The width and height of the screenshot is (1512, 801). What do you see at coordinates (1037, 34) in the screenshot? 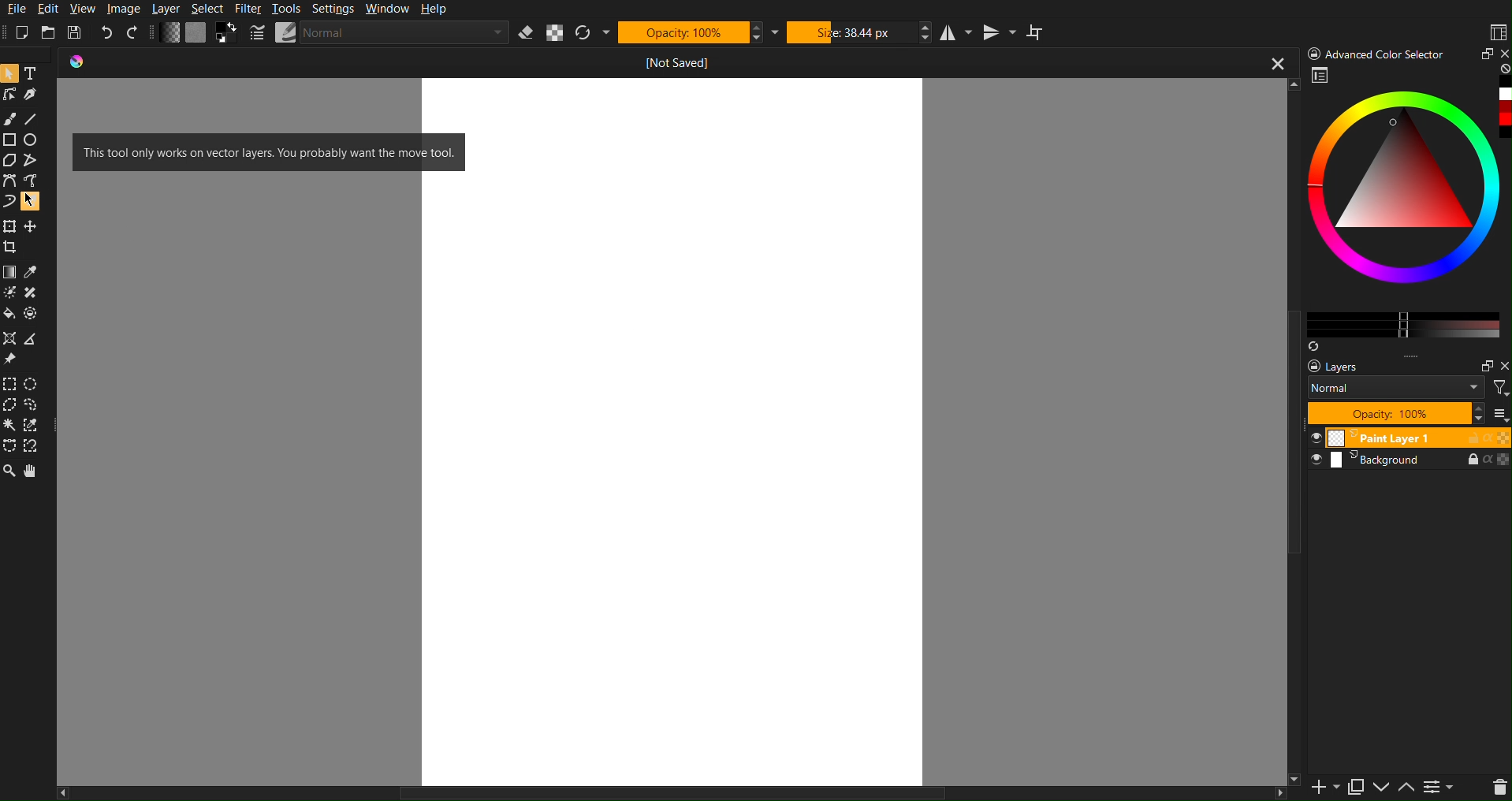
I see `Wrap Around Mode` at bounding box center [1037, 34].